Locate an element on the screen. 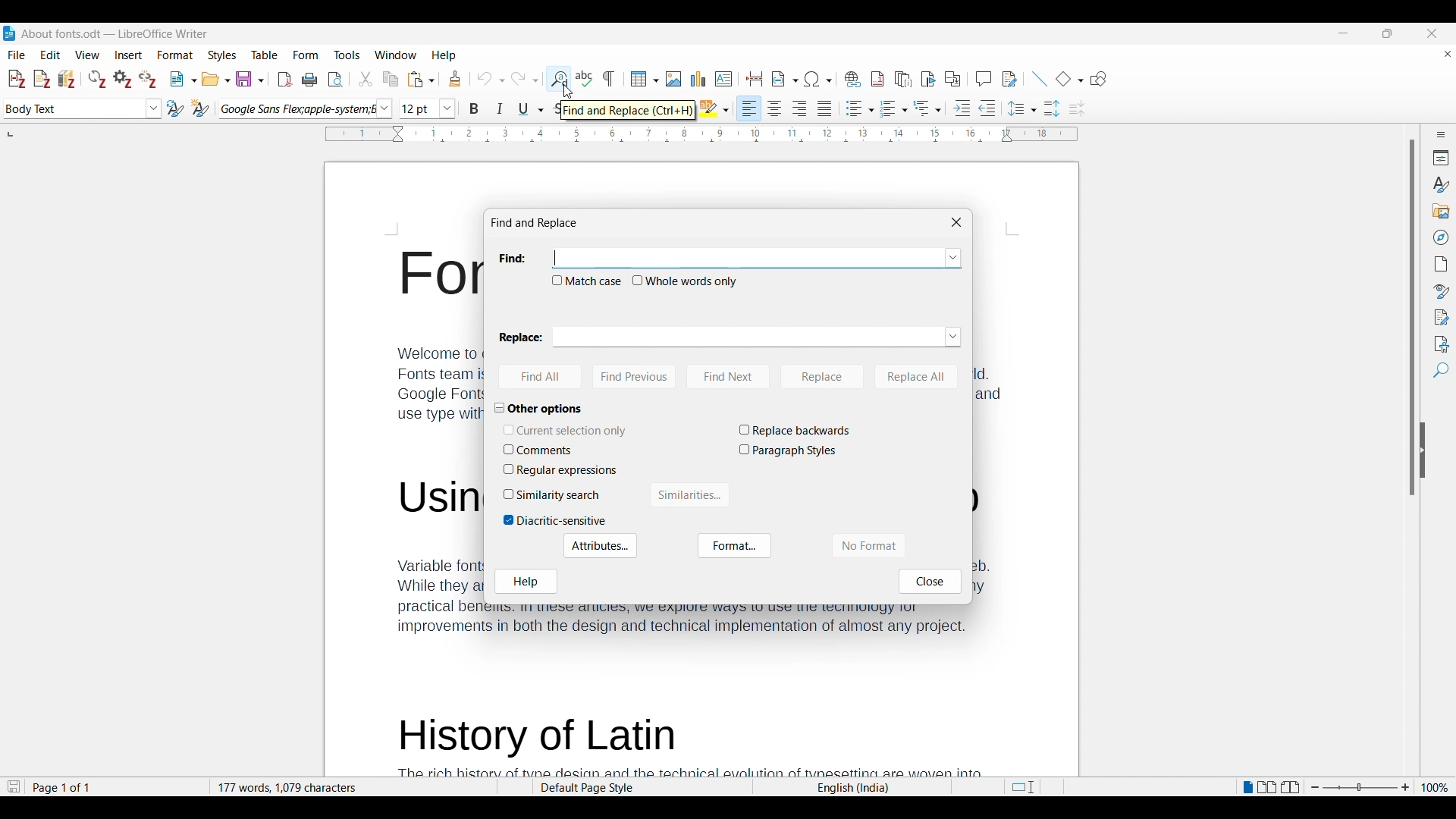 This screenshot has height=819, width=1456. Toggle for Current selection only is located at coordinates (566, 431).